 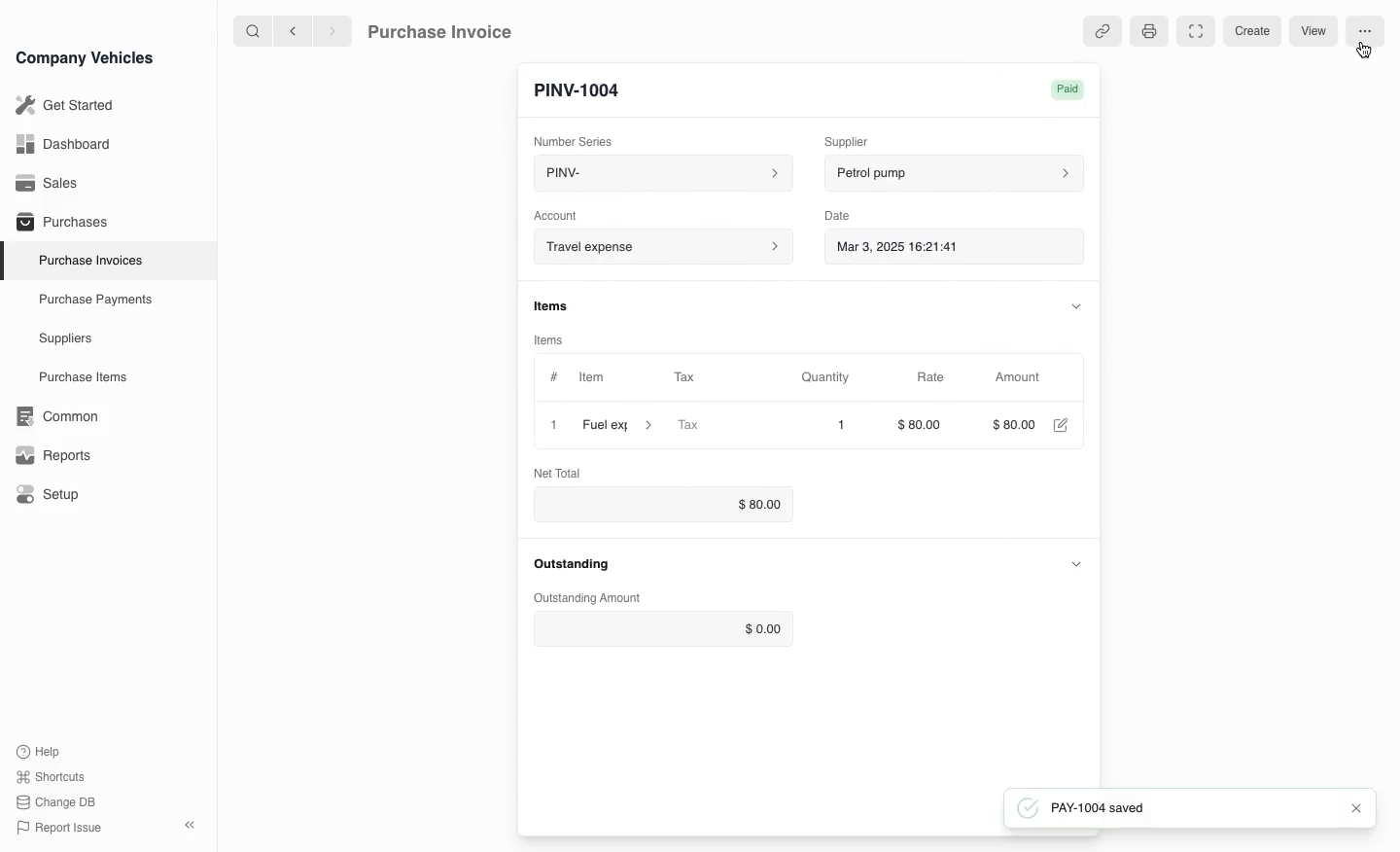 What do you see at coordinates (939, 243) in the screenshot?
I see `Mar 3, 2025 16:21:41` at bounding box center [939, 243].